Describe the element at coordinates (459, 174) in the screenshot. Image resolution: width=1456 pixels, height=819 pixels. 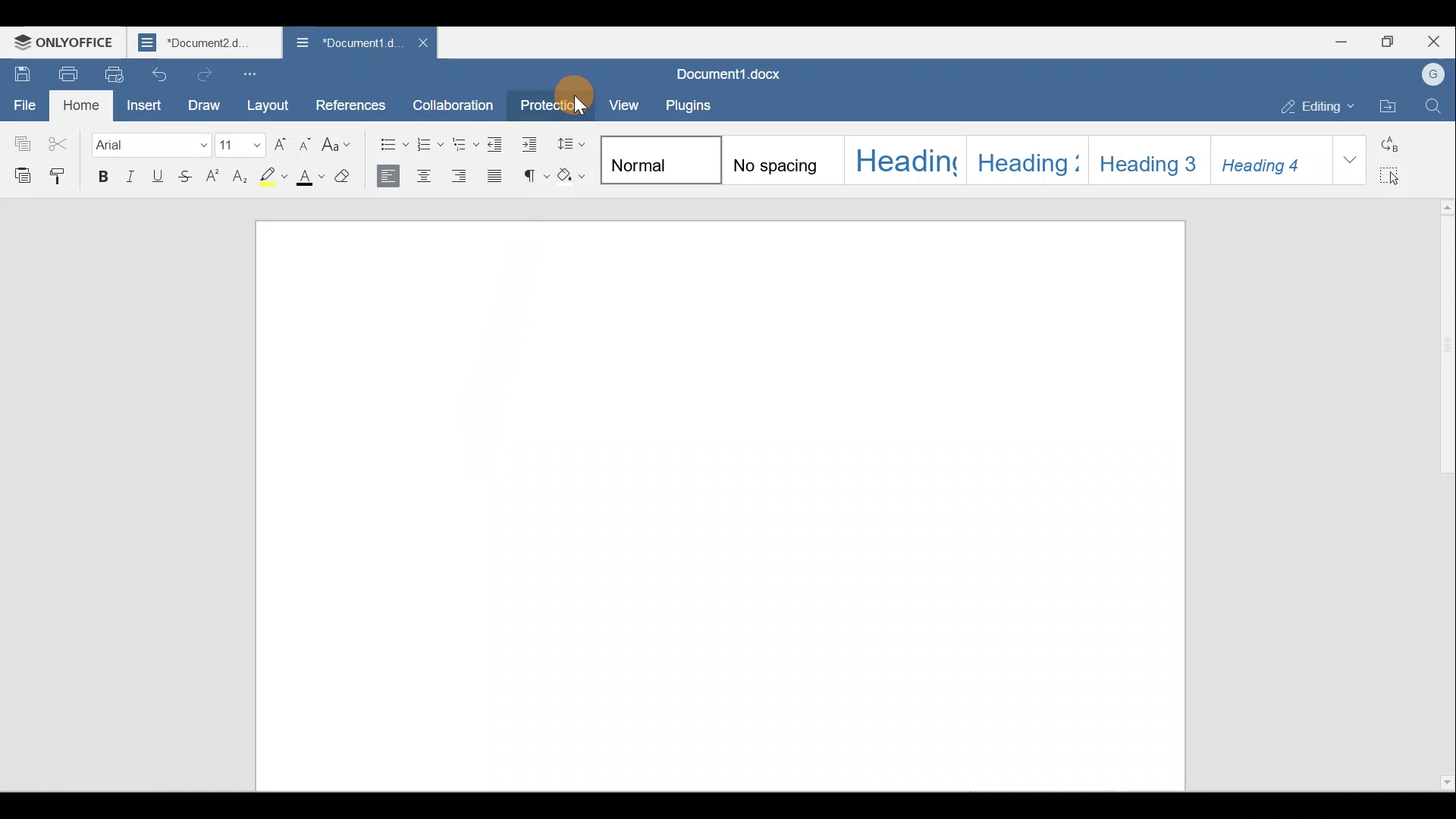
I see `Align right` at that location.